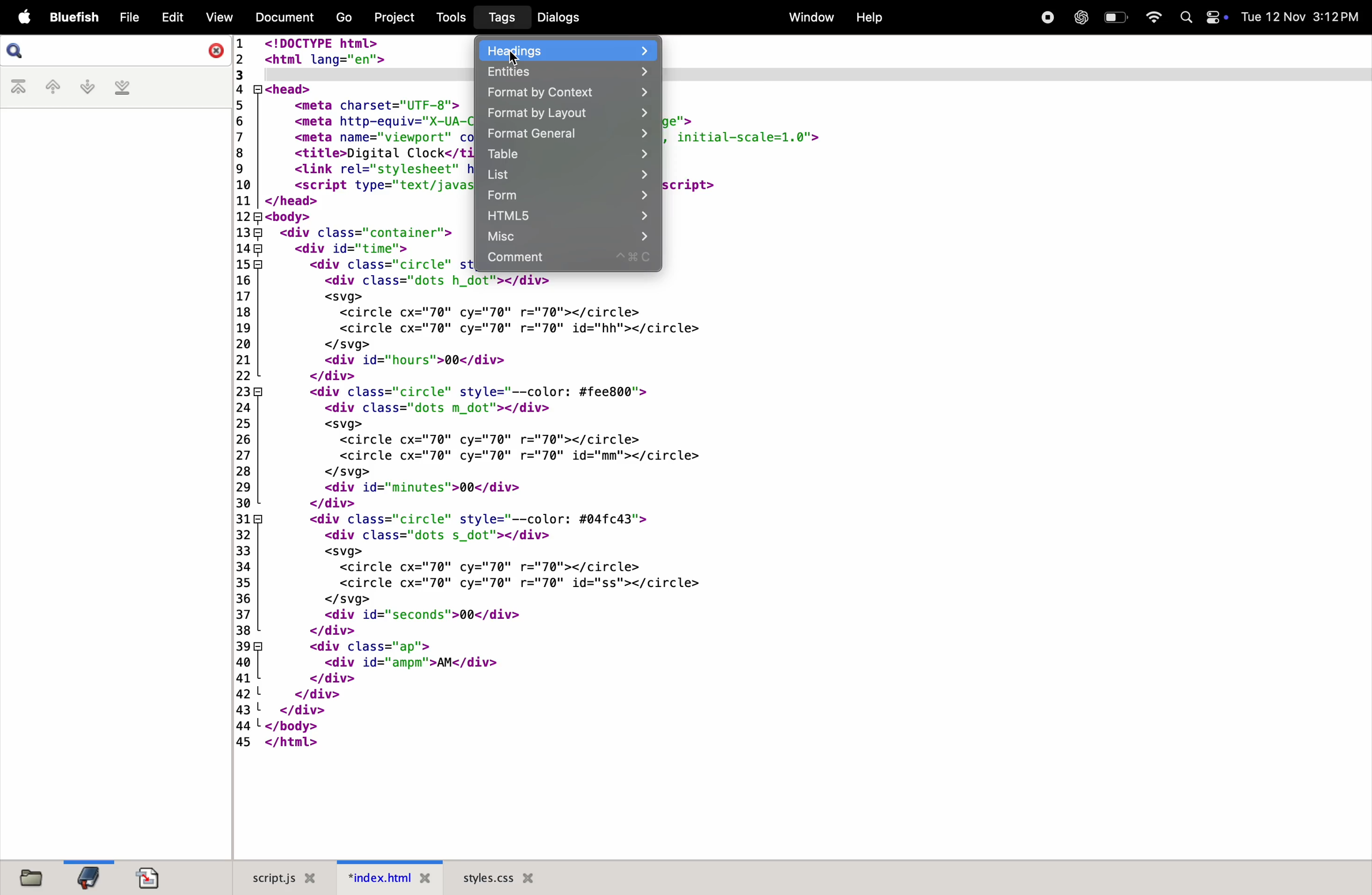 Image resolution: width=1372 pixels, height=895 pixels. I want to click on search , so click(118, 51).